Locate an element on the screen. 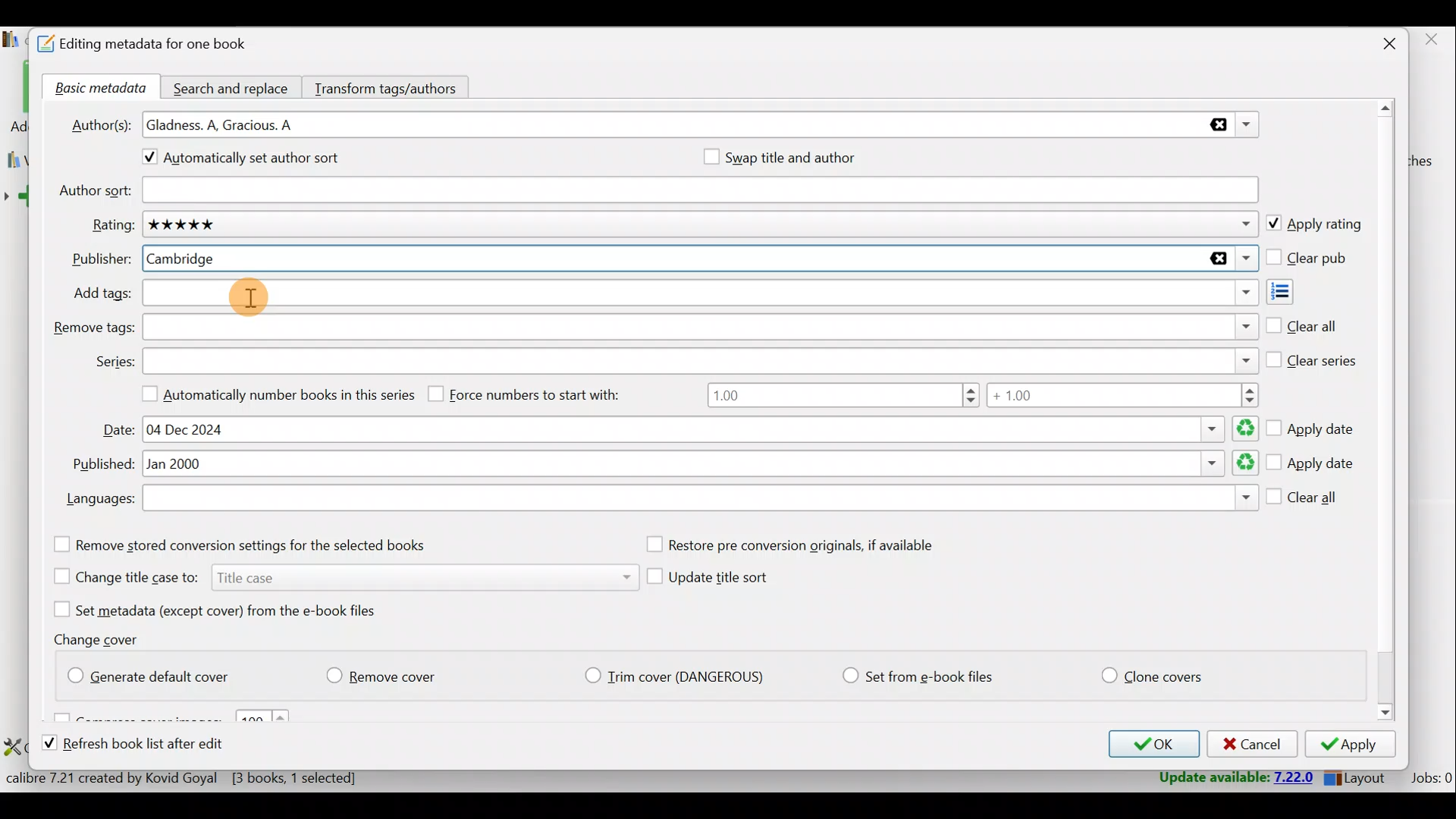 The width and height of the screenshot is (1456, 819). Set from e-book files is located at coordinates (917, 676).